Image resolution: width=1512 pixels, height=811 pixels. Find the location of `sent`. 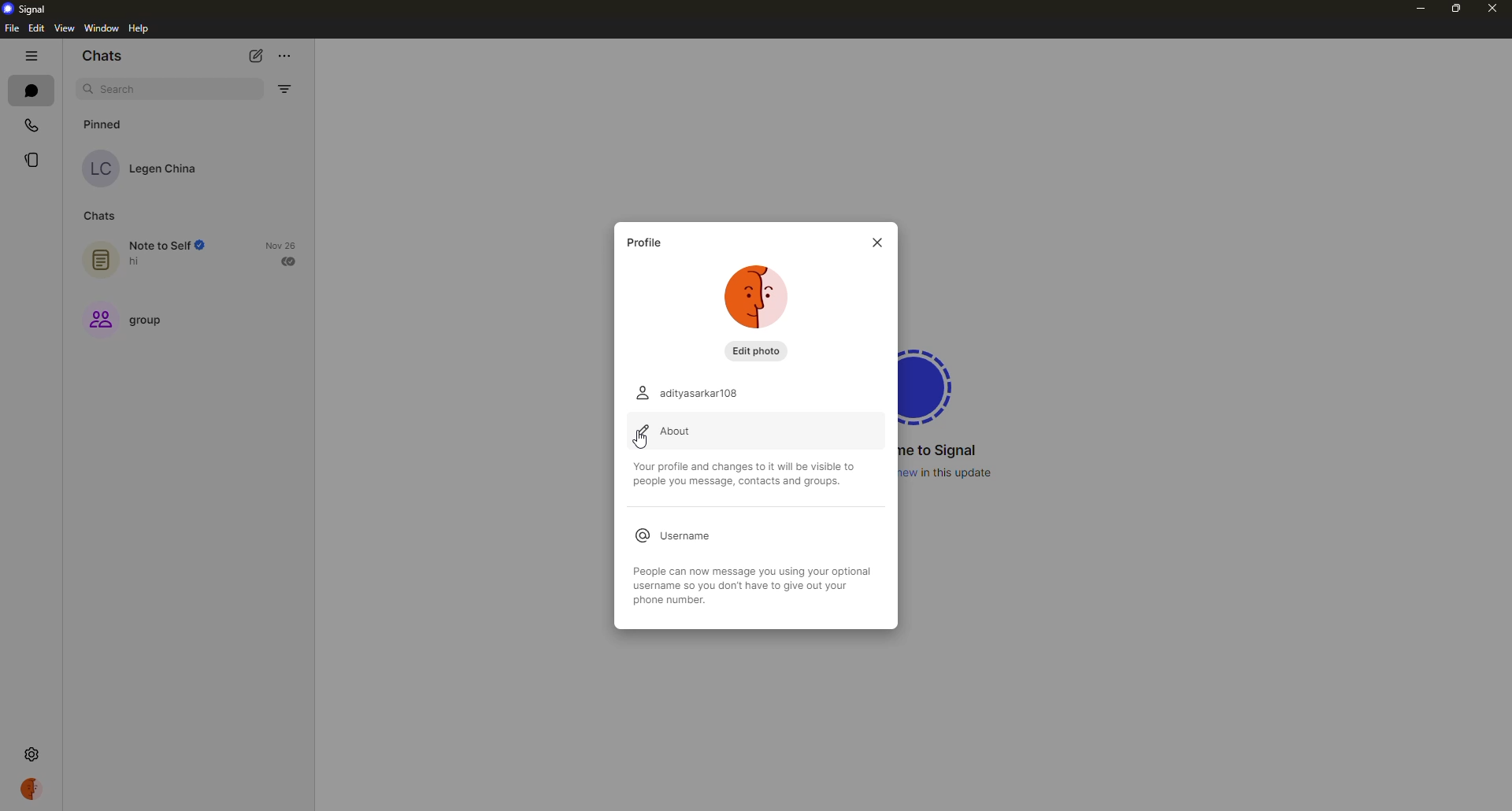

sent is located at coordinates (291, 261).